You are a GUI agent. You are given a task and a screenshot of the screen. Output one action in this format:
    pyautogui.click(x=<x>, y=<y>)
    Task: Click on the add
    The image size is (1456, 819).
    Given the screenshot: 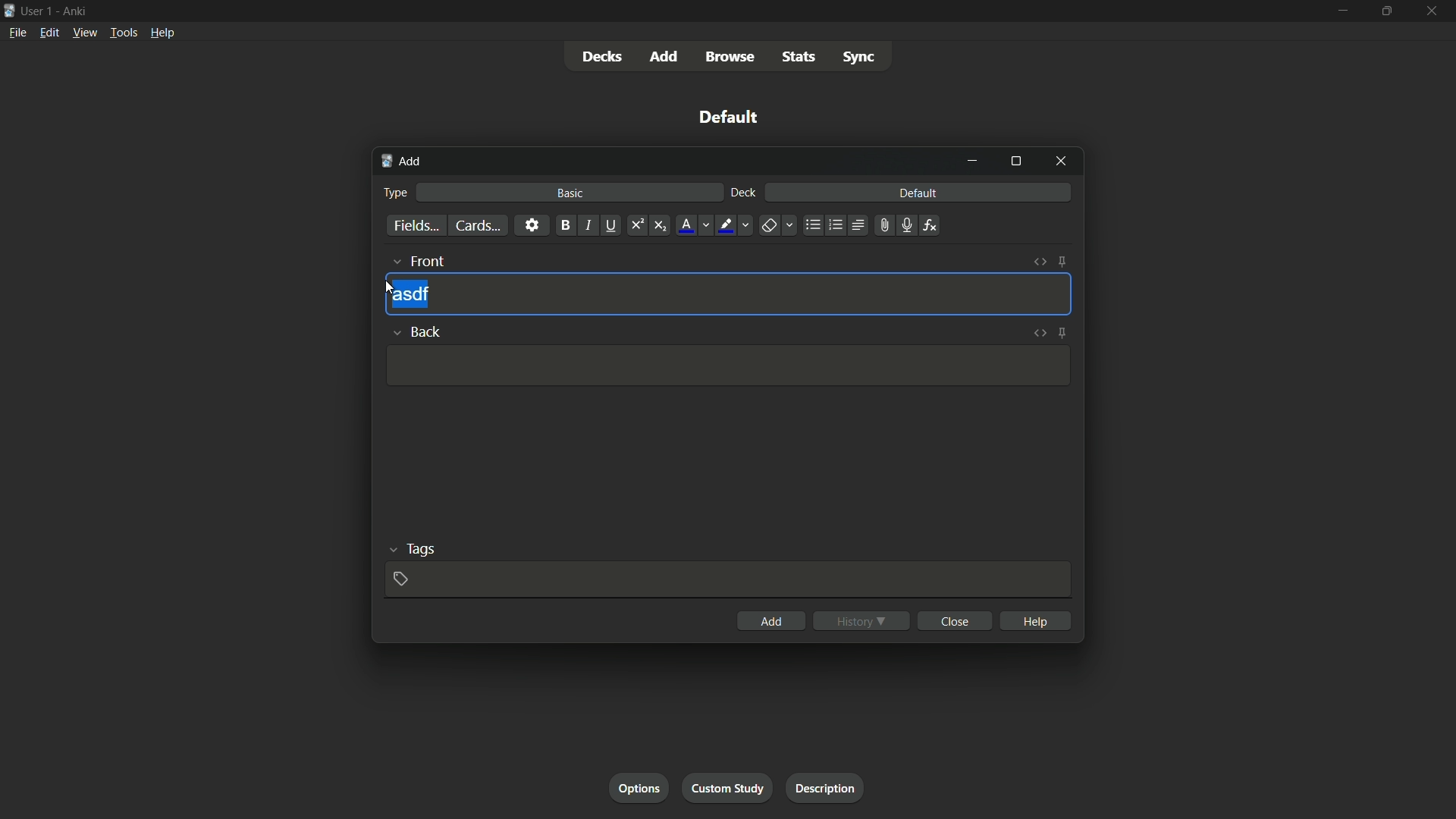 What is the action you would take?
    pyautogui.click(x=665, y=55)
    